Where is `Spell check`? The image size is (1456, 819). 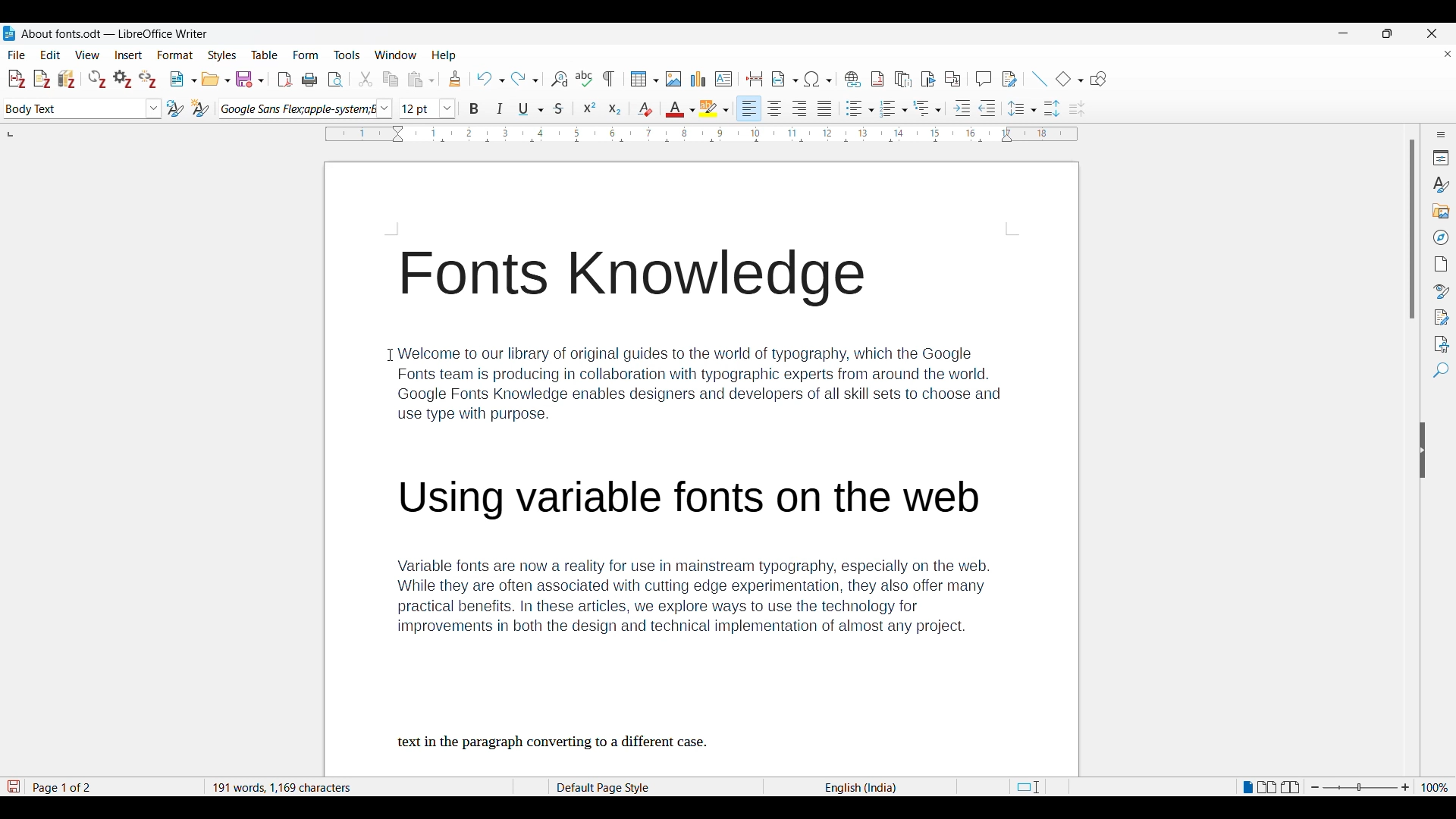 Spell check is located at coordinates (584, 78).